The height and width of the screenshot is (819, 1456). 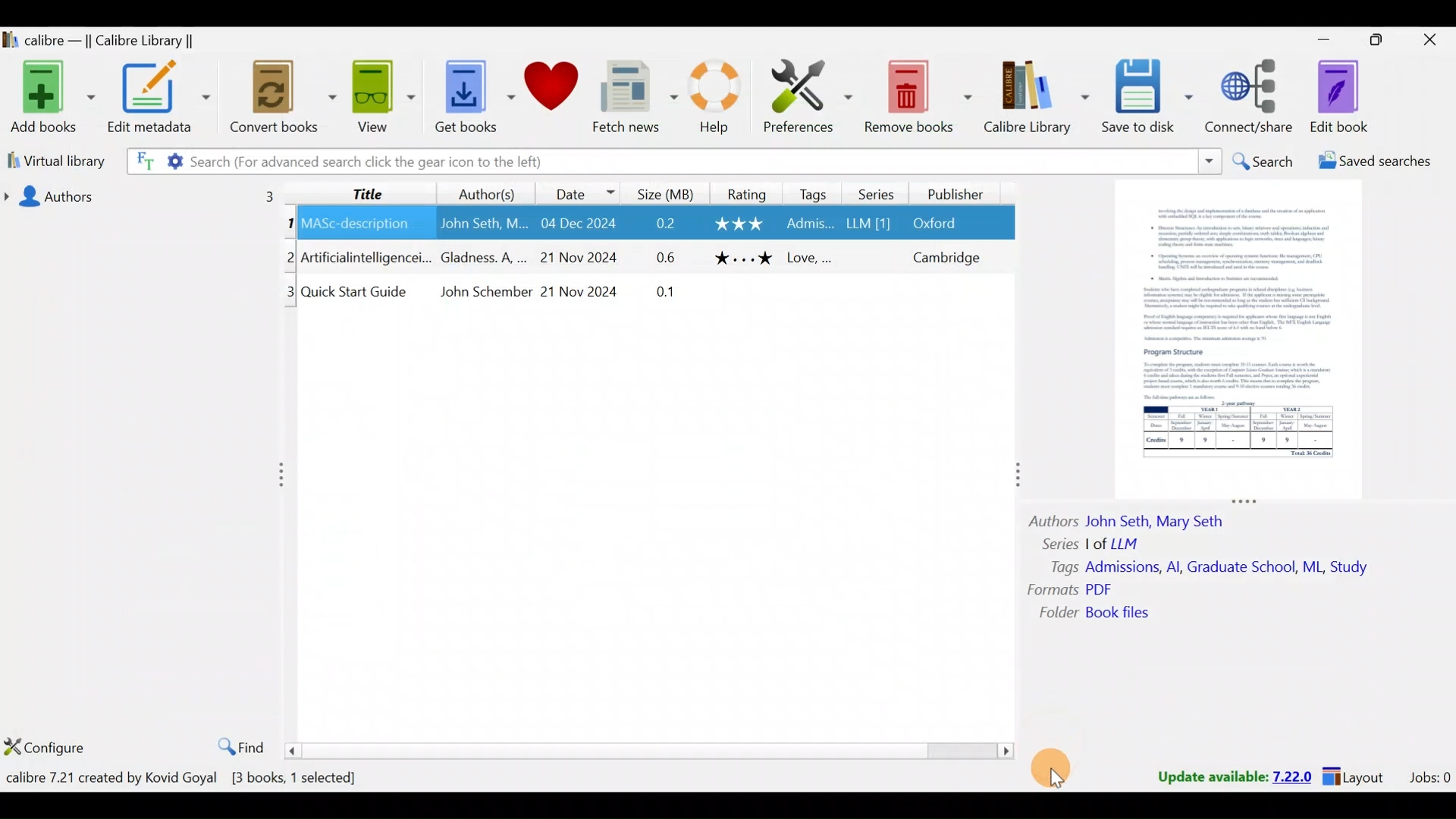 I want to click on Publisher, so click(x=962, y=192).